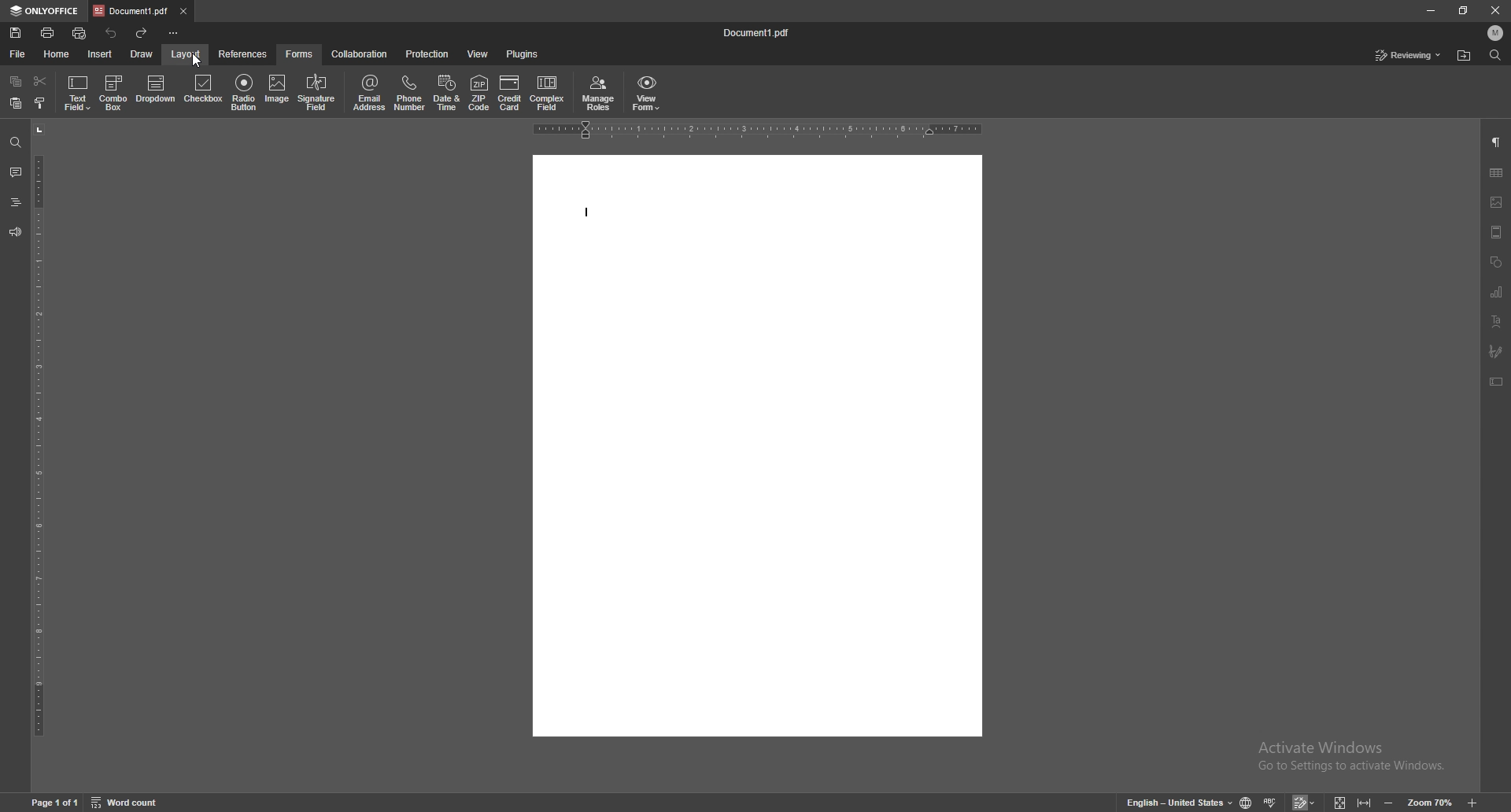 The image size is (1511, 812). What do you see at coordinates (359, 54) in the screenshot?
I see `collaboration` at bounding box center [359, 54].